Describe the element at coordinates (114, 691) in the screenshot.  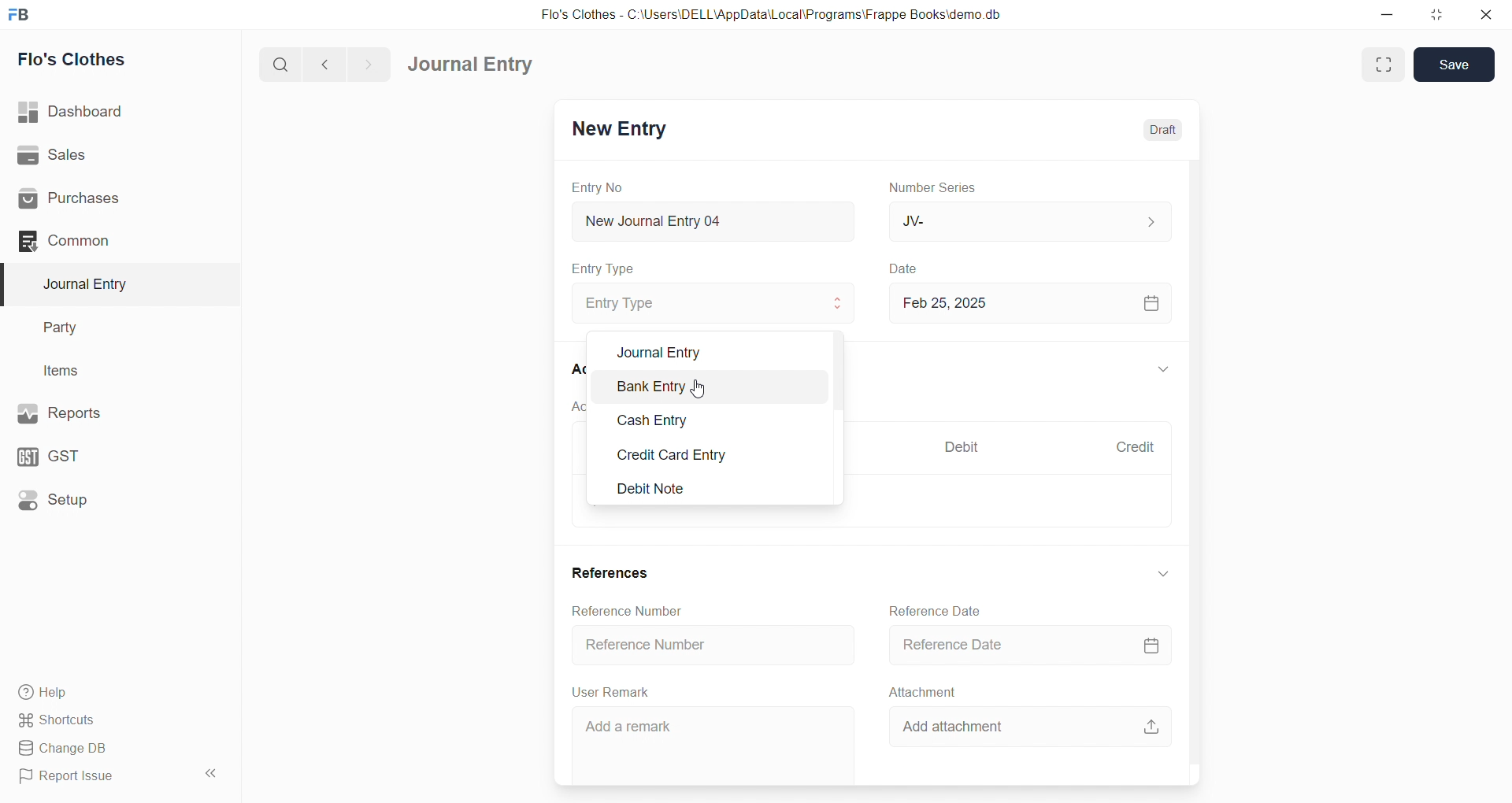
I see `Help` at that location.